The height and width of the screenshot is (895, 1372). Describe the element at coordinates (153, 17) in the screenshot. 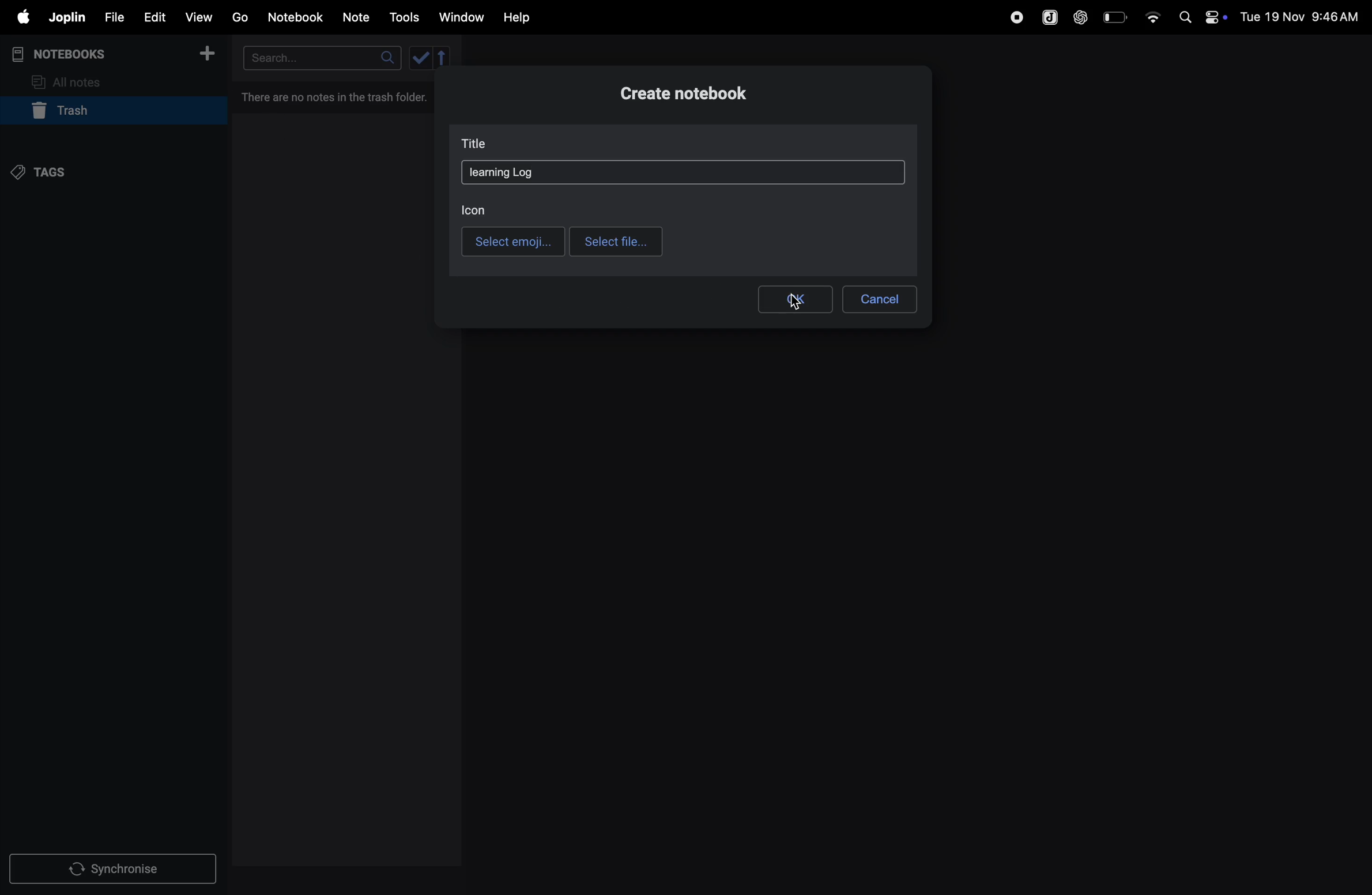

I see `edit` at that location.